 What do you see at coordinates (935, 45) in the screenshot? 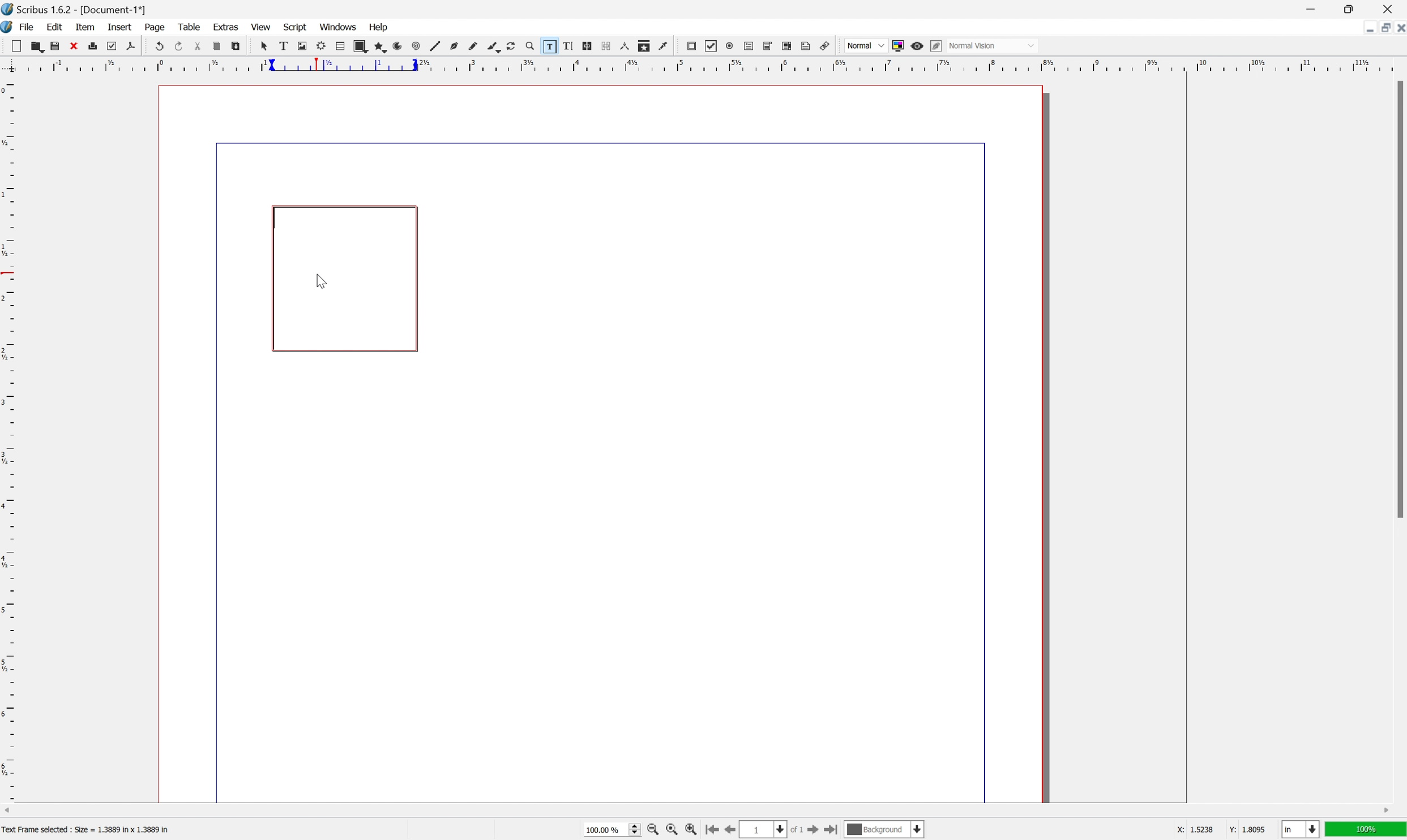
I see `edit in preview mode` at bounding box center [935, 45].